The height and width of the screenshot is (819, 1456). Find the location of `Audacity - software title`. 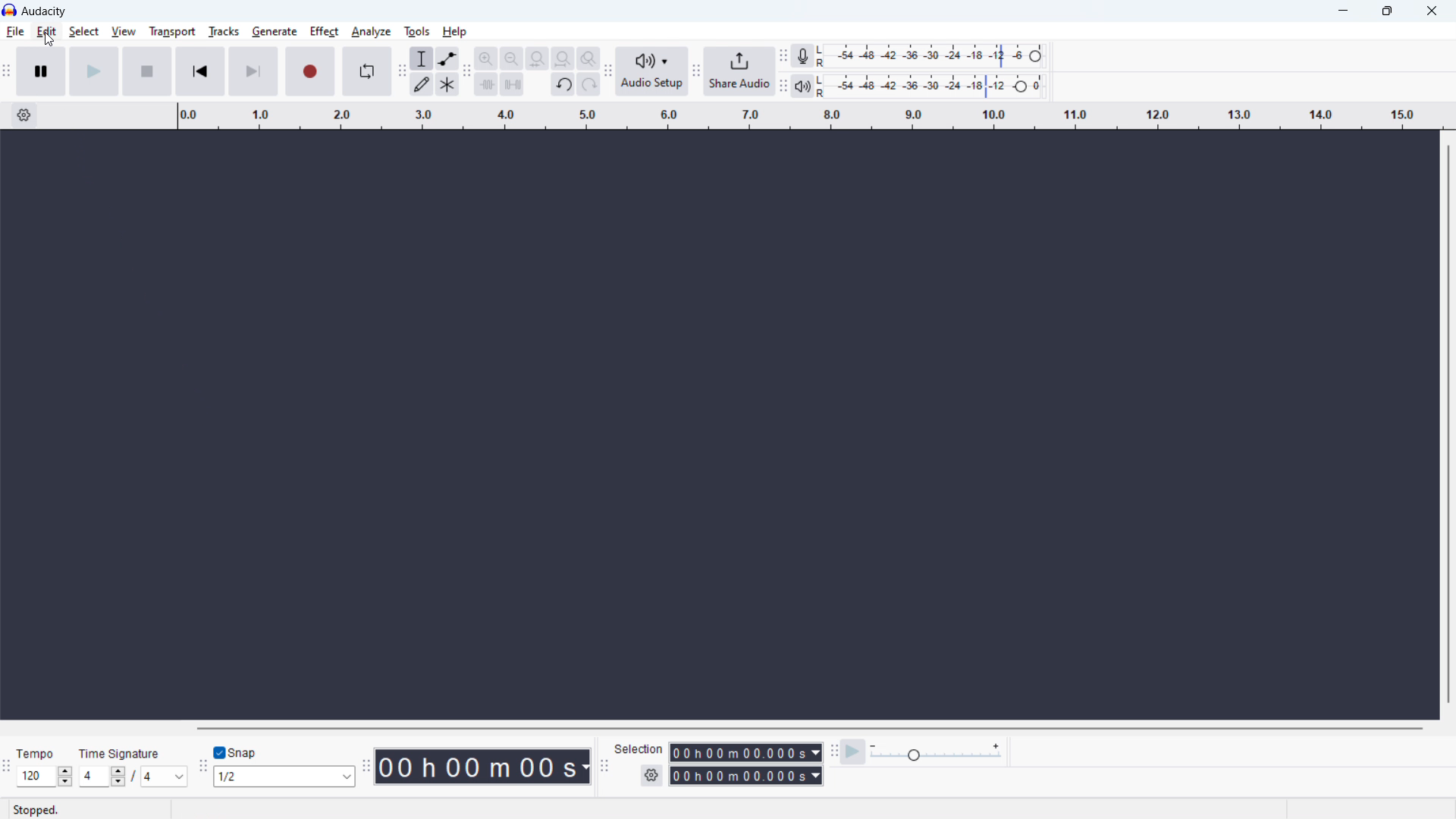

Audacity - software title is located at coordinates (44, 11).